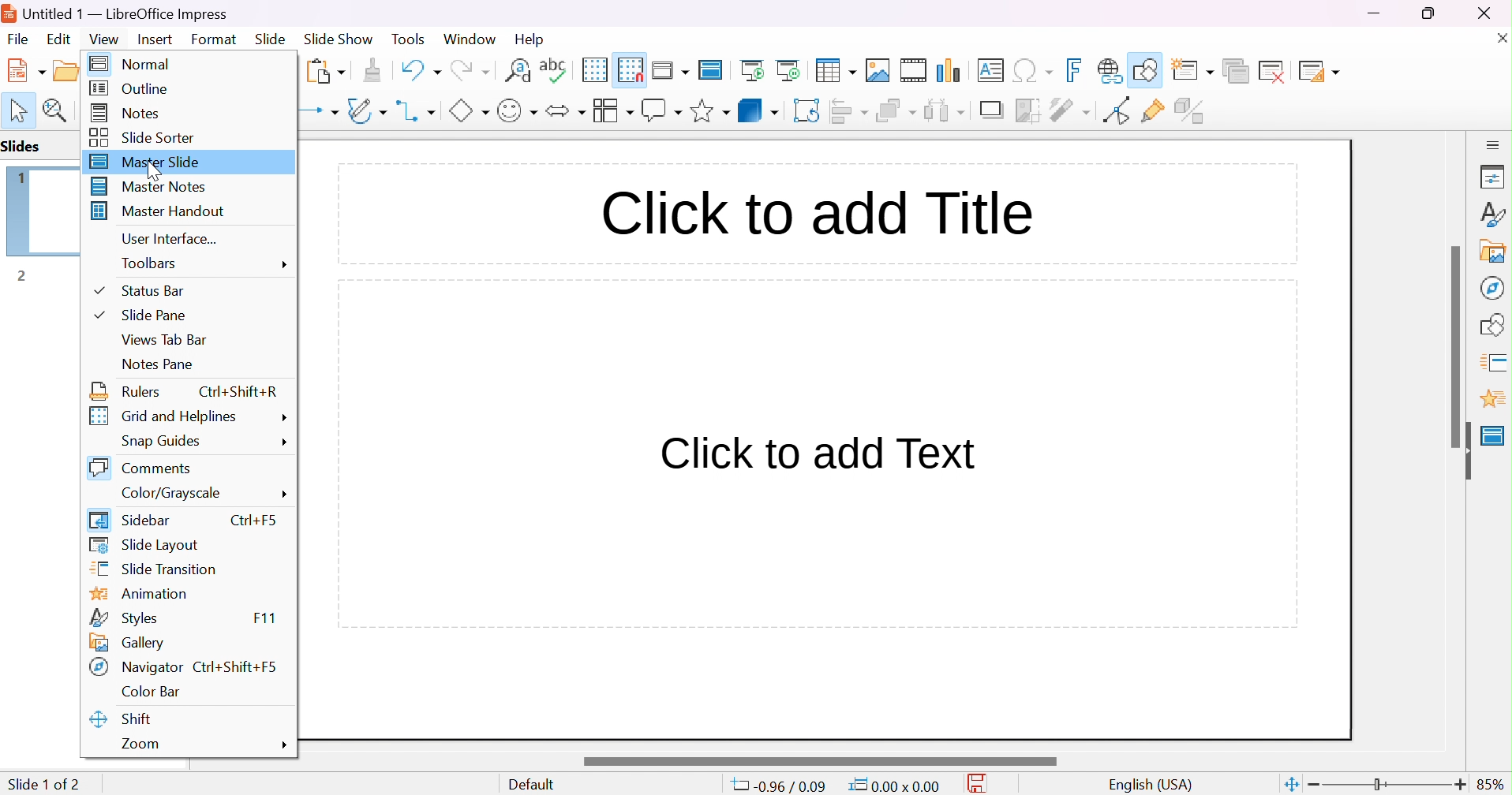 This screenshot has width=1512, height=795. I want to click on insert audio or video, so click(912, 70).